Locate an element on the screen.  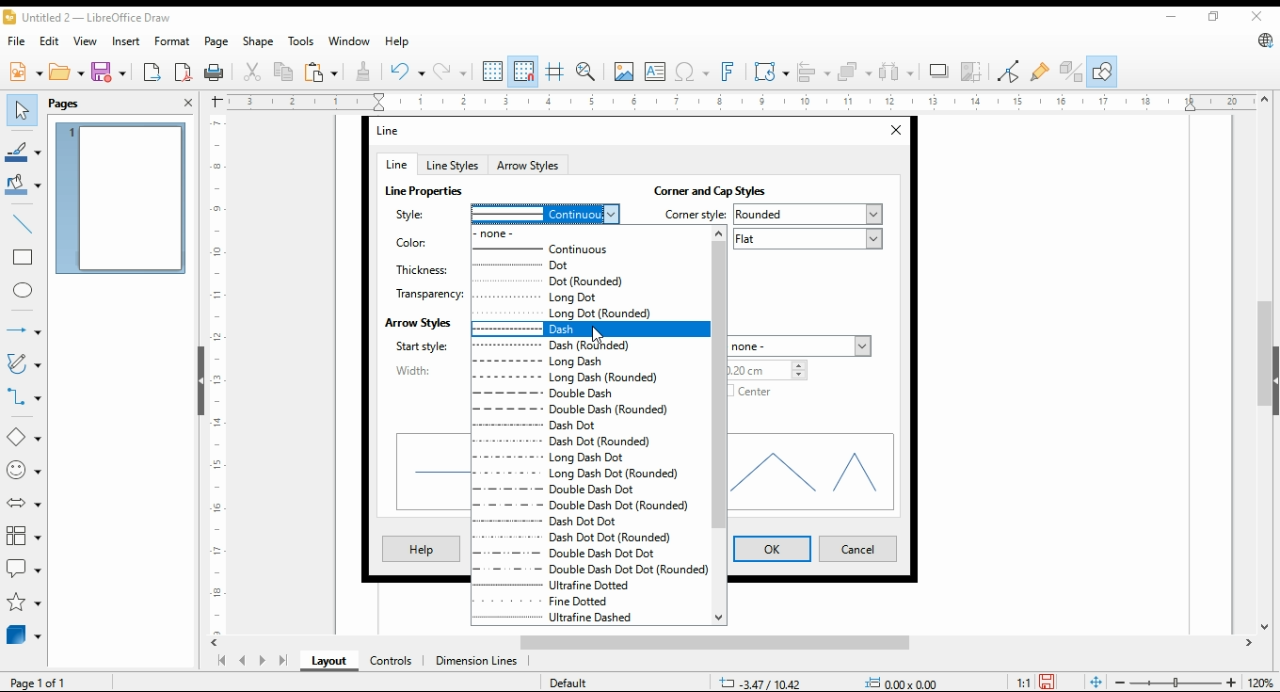
mouse pointer is located at coordinates (598, 335).